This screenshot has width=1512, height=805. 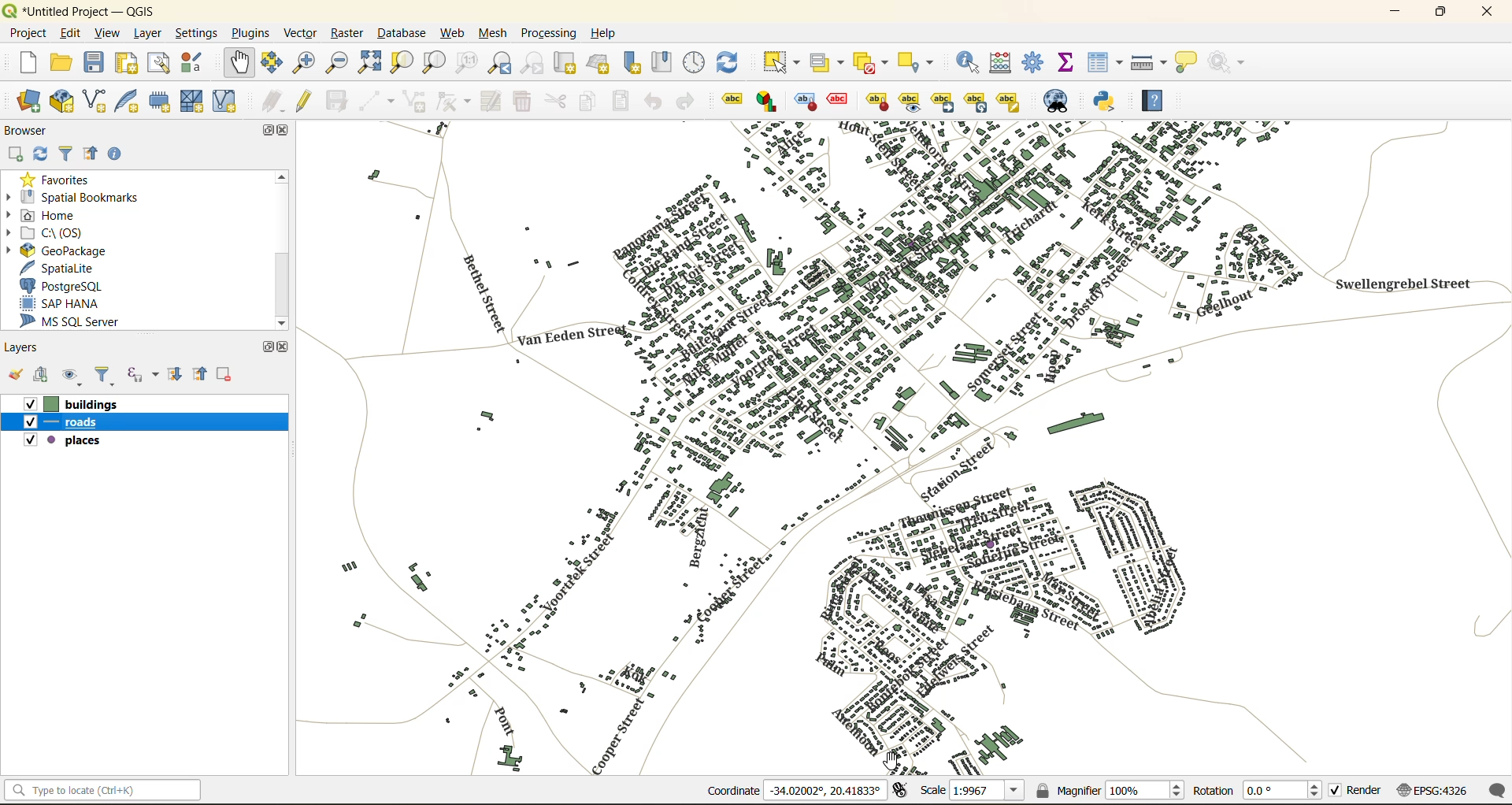 What do you see at coordinates (454, 103) in the screenshot?
I see `vertex tools` at bounding box center [454, 103].